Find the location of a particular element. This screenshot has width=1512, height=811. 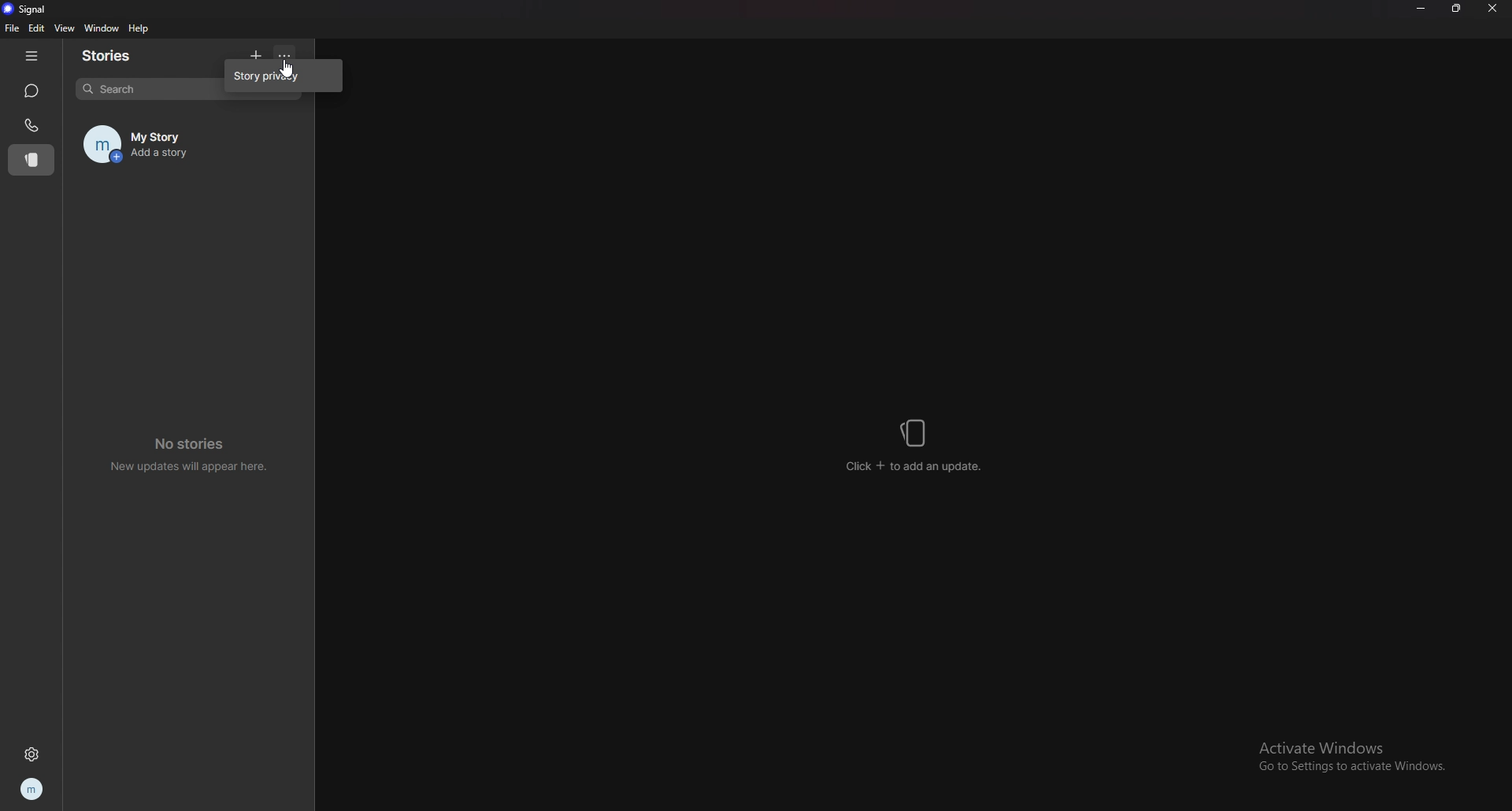

close is located at coordinates (1492, 9).